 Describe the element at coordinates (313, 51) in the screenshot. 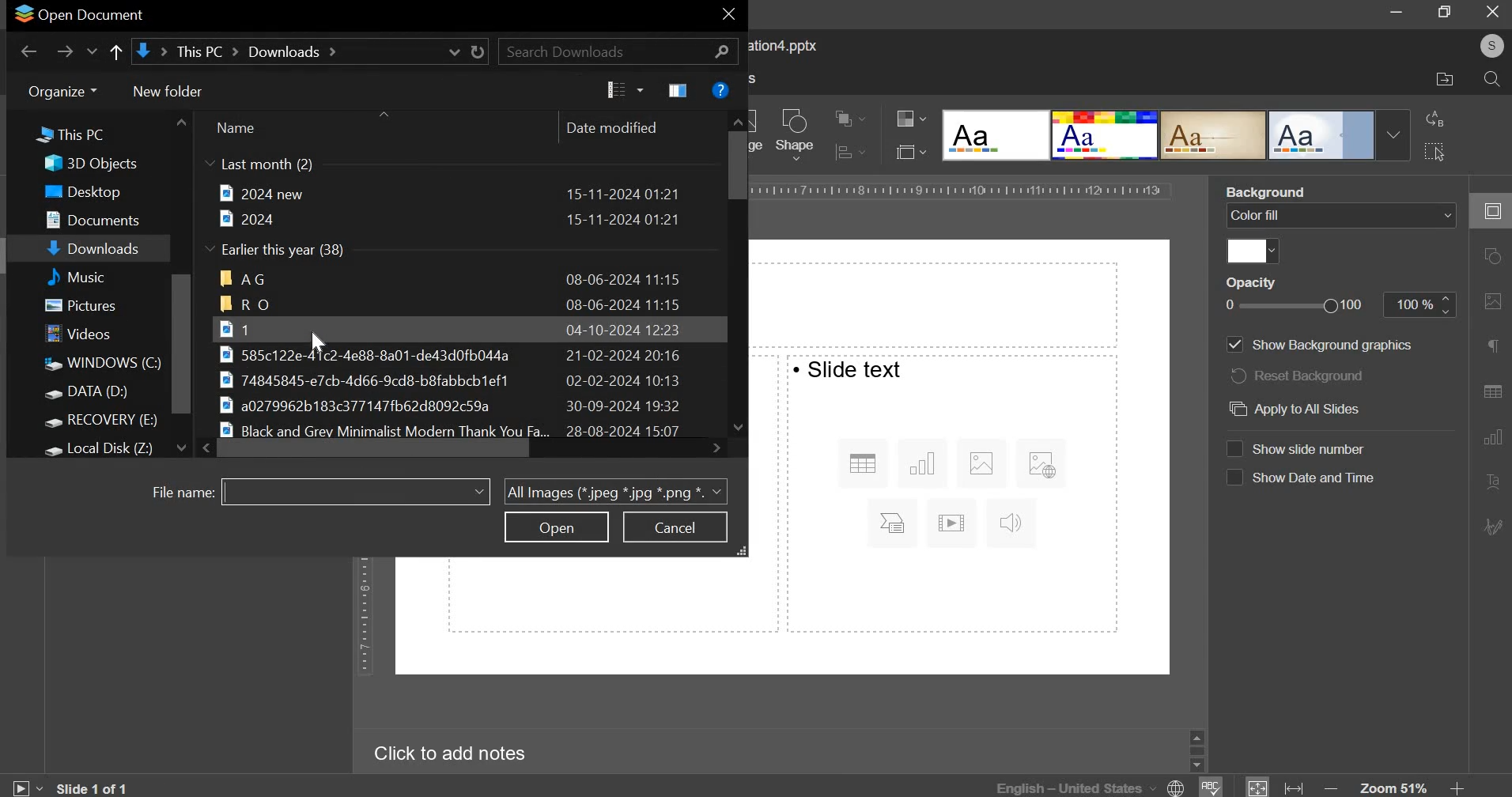

I see `file location` at that location.